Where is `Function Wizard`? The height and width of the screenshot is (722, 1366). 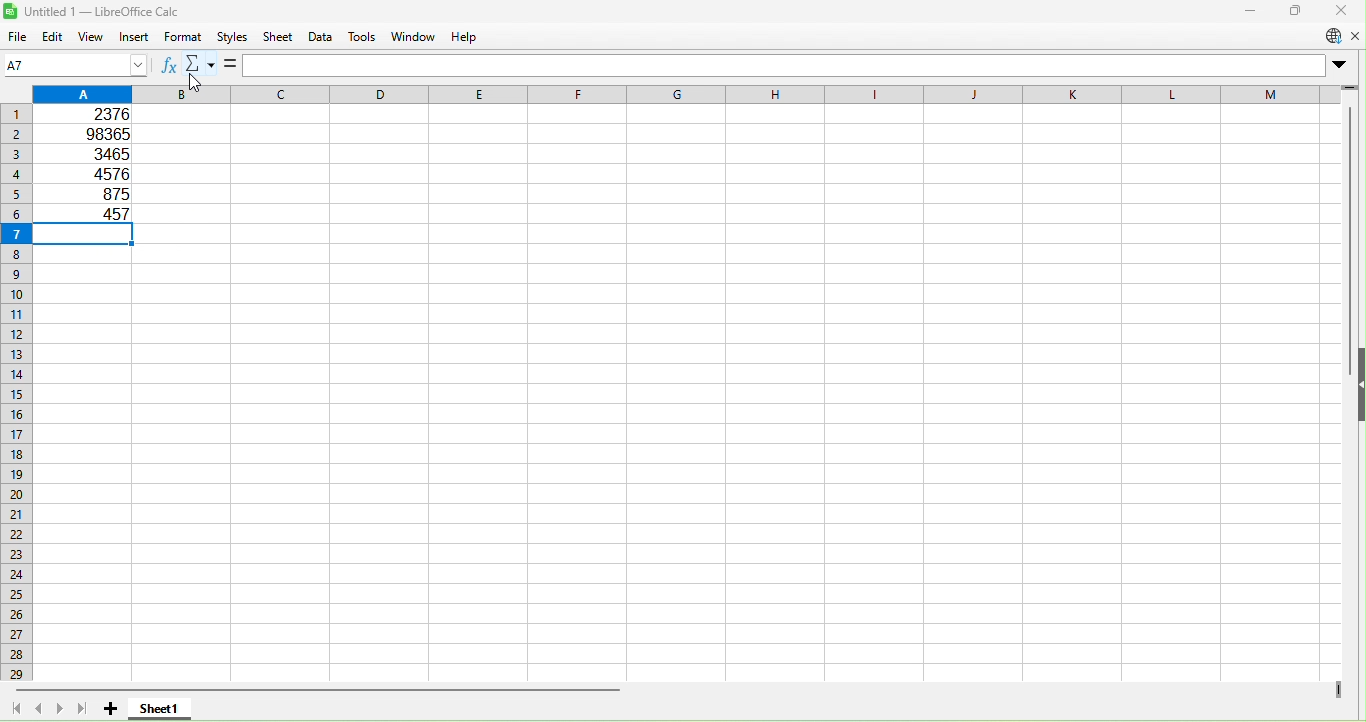 Function Wizard is located at coordinates (170, 63).